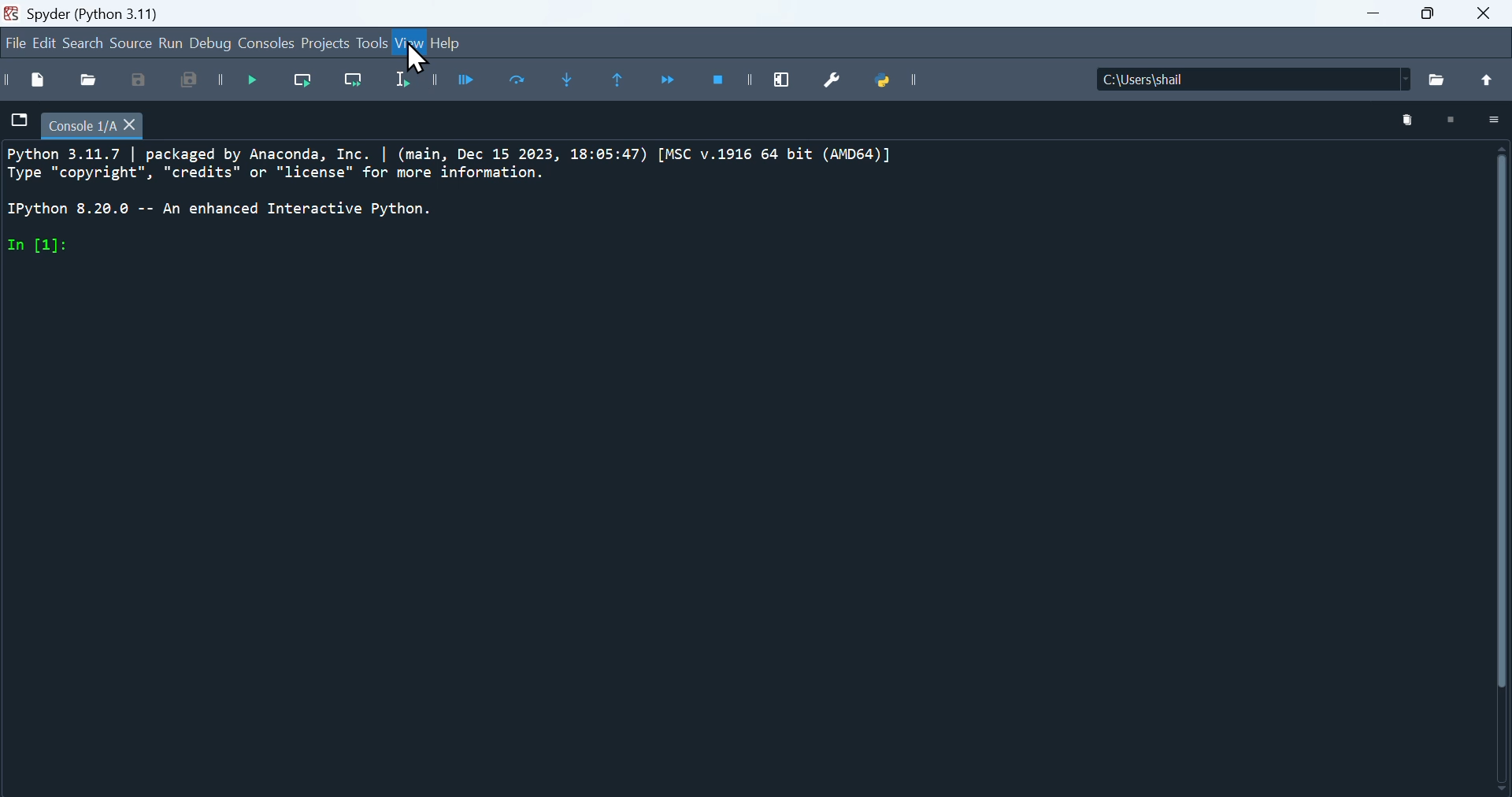 Image resolution: width=1512 pixels, height=797 pixels. What do you see at coordinates (624, 81) in the screenshot?
I see `Continue execution until same function returns` at bounding box center [624, 81].